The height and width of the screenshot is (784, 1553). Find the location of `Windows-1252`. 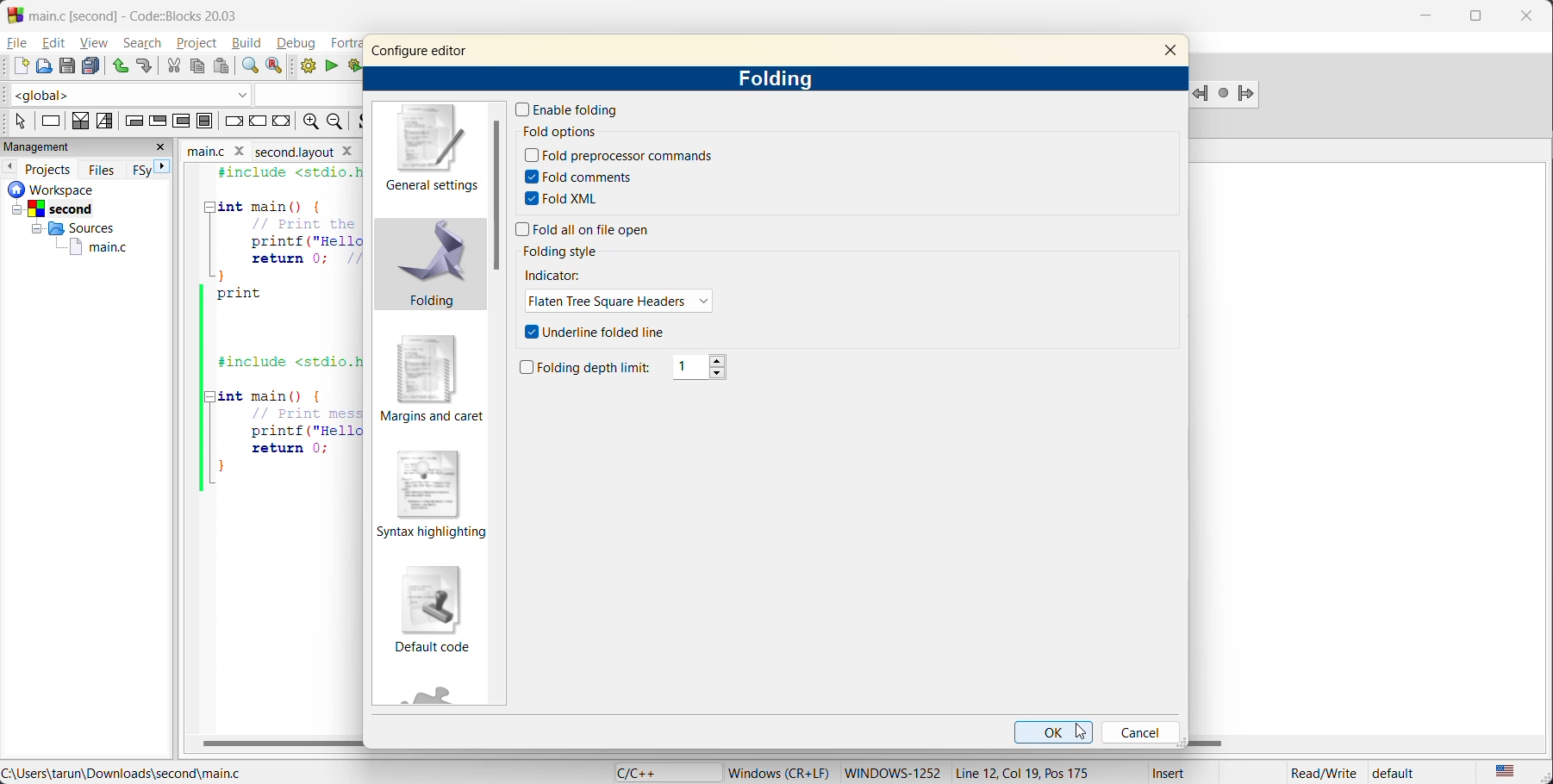

Windows-1252 is located at coordinates (895, 770).